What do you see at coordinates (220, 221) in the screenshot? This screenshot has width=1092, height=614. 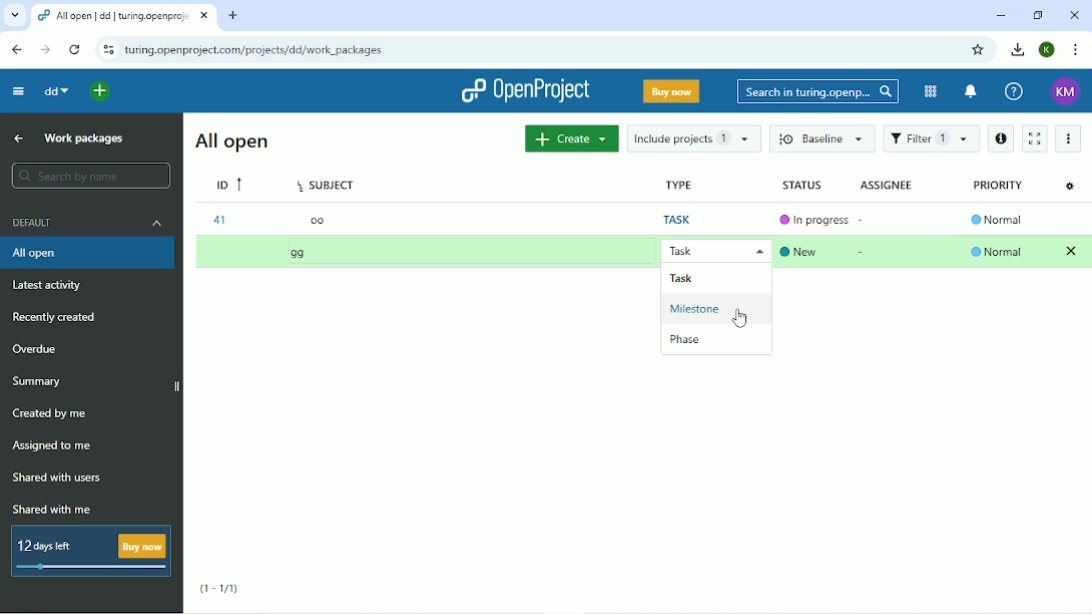 I see `41` at bounding box center [220, 221].